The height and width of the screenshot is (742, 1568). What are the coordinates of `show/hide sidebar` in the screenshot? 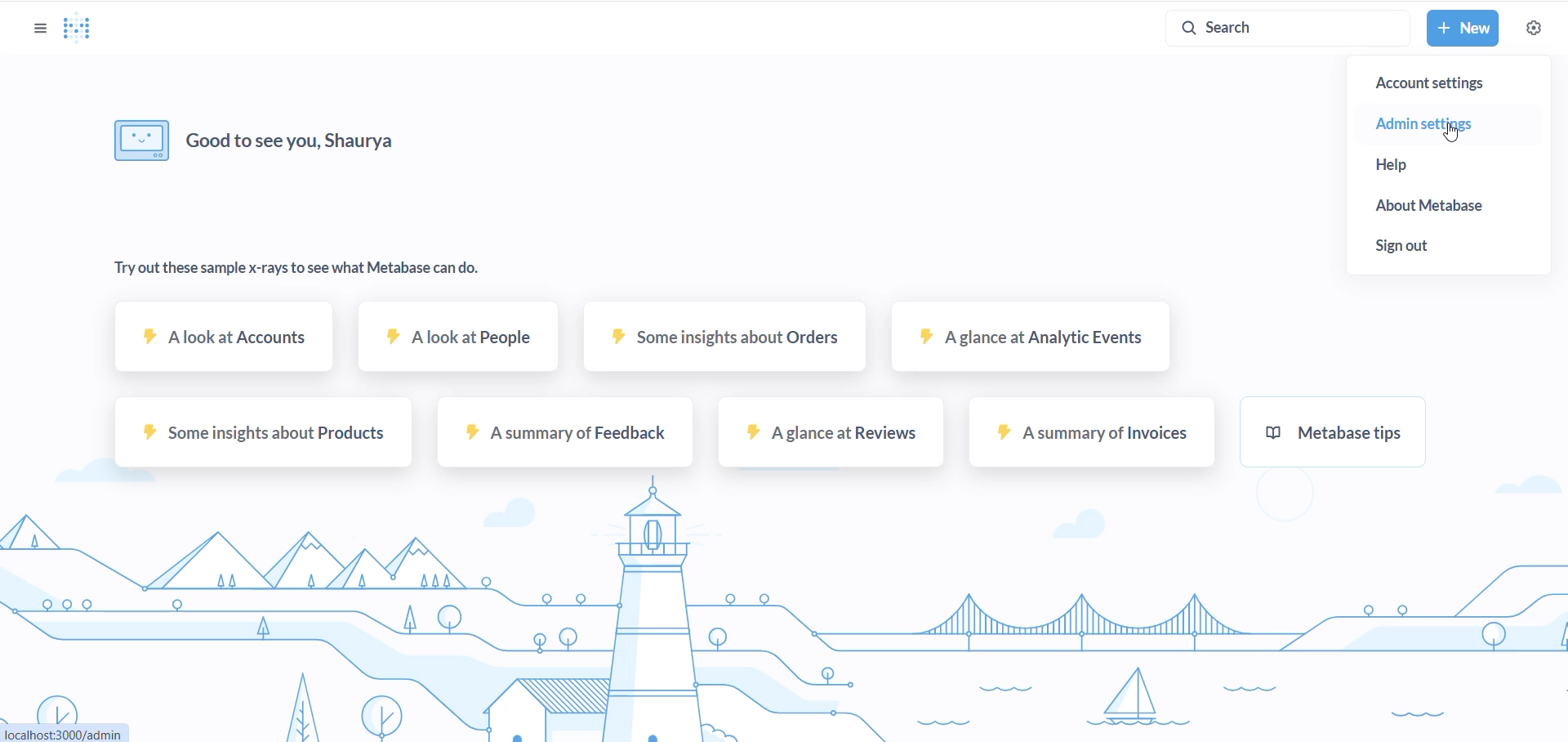 It's located at (36, 28).